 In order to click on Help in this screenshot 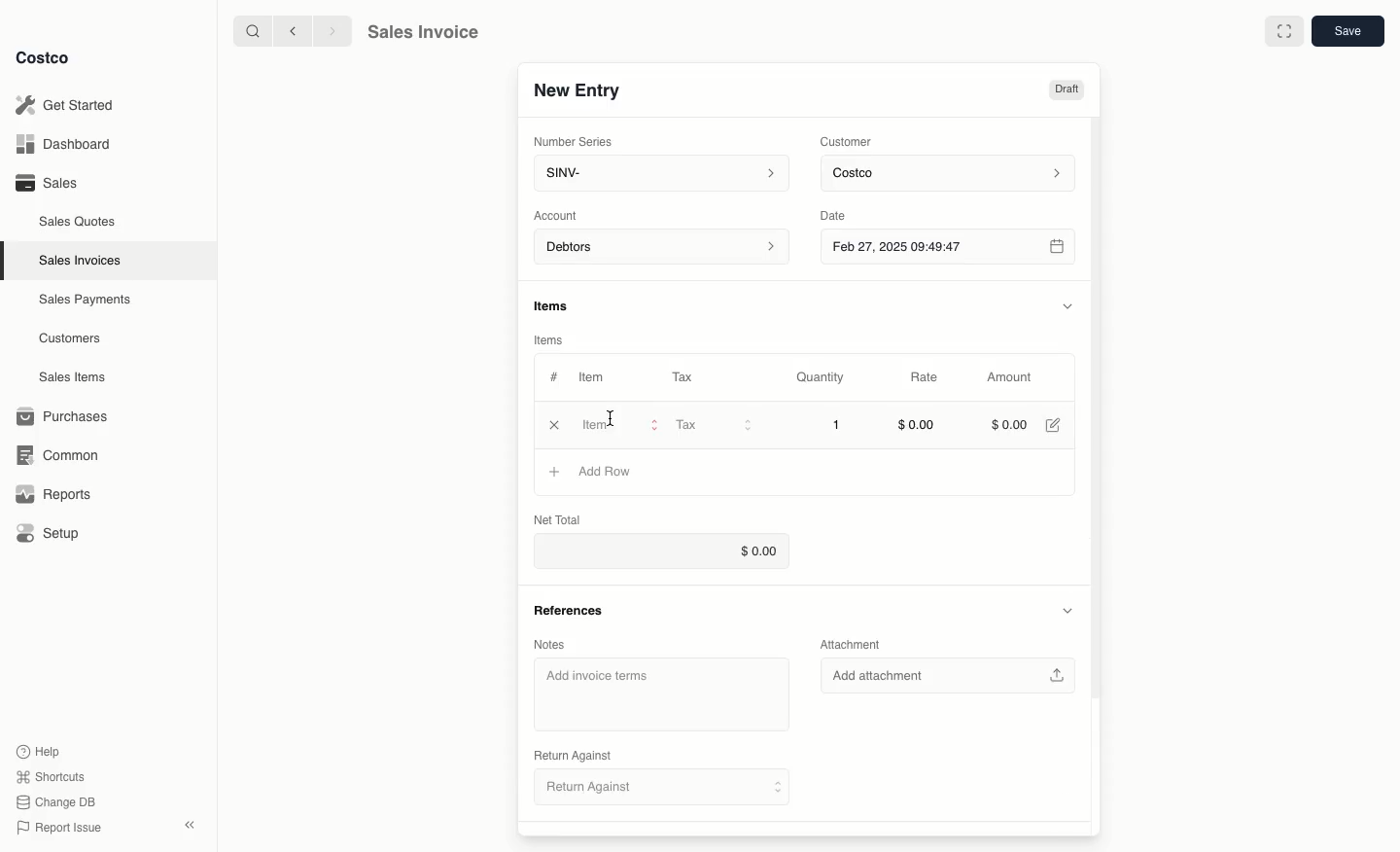, I will do `click(40, 750)`.